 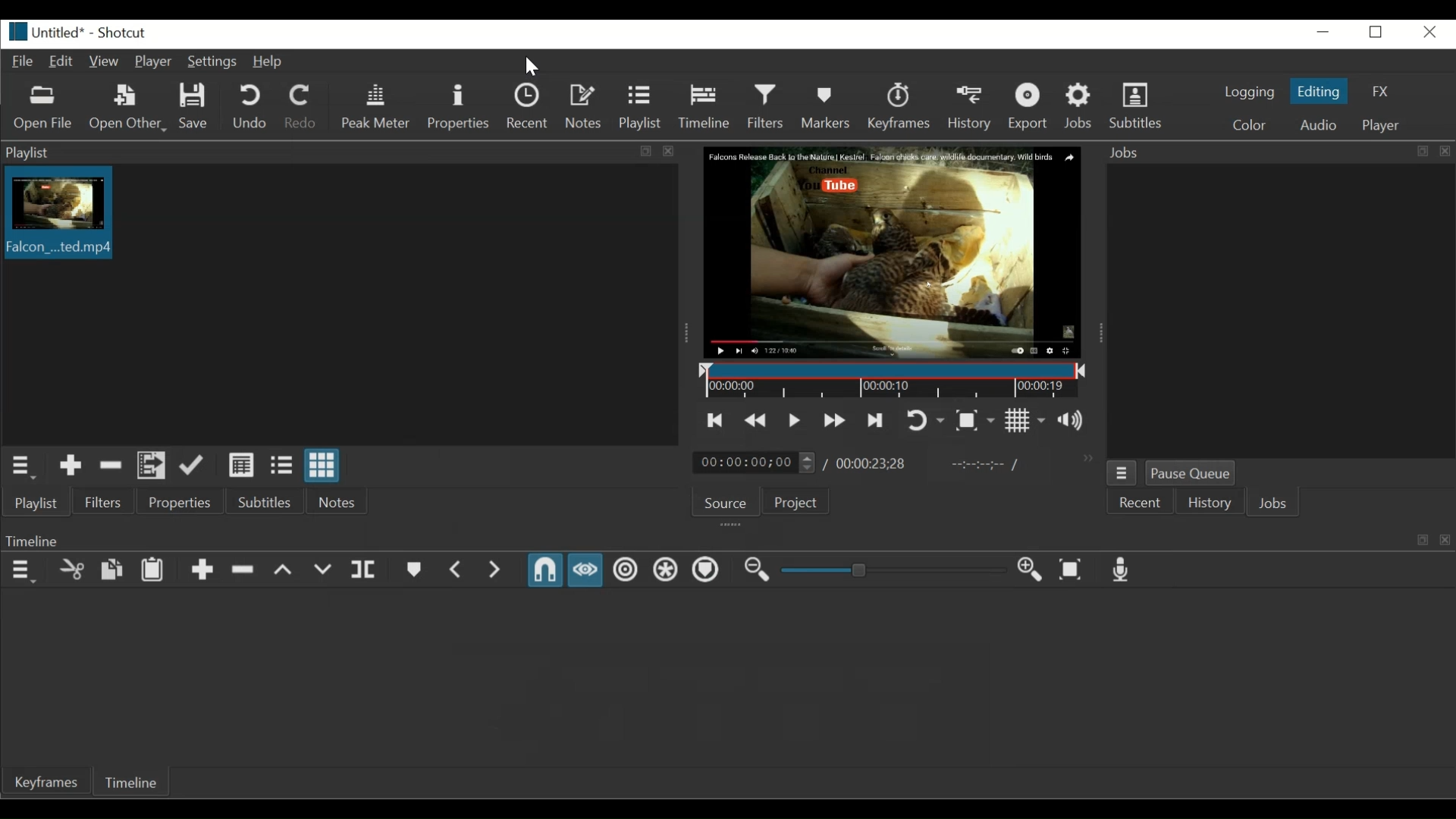 I want to click on Timeline Menu, so click(x=21, y=572).